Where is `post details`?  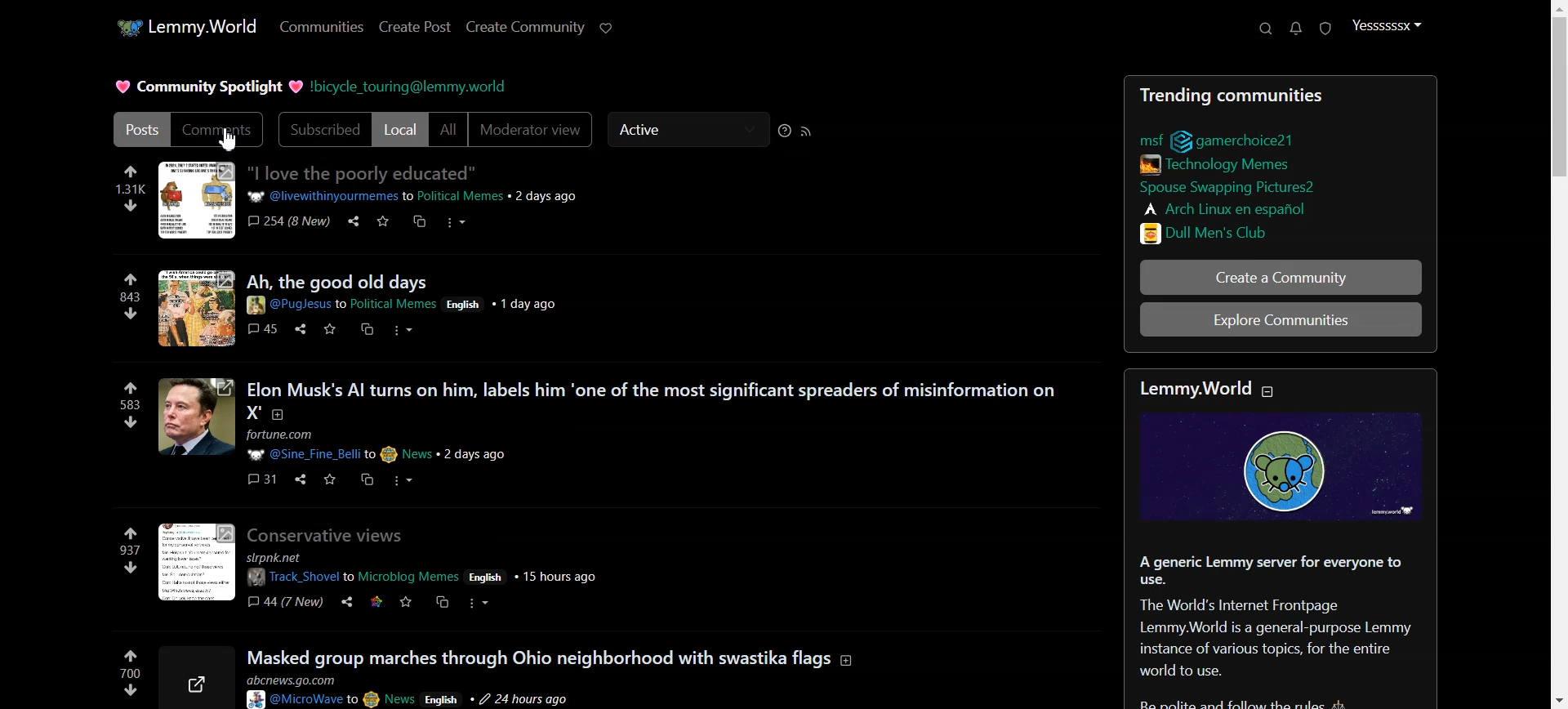 post details is located at coordinates (404, 305).